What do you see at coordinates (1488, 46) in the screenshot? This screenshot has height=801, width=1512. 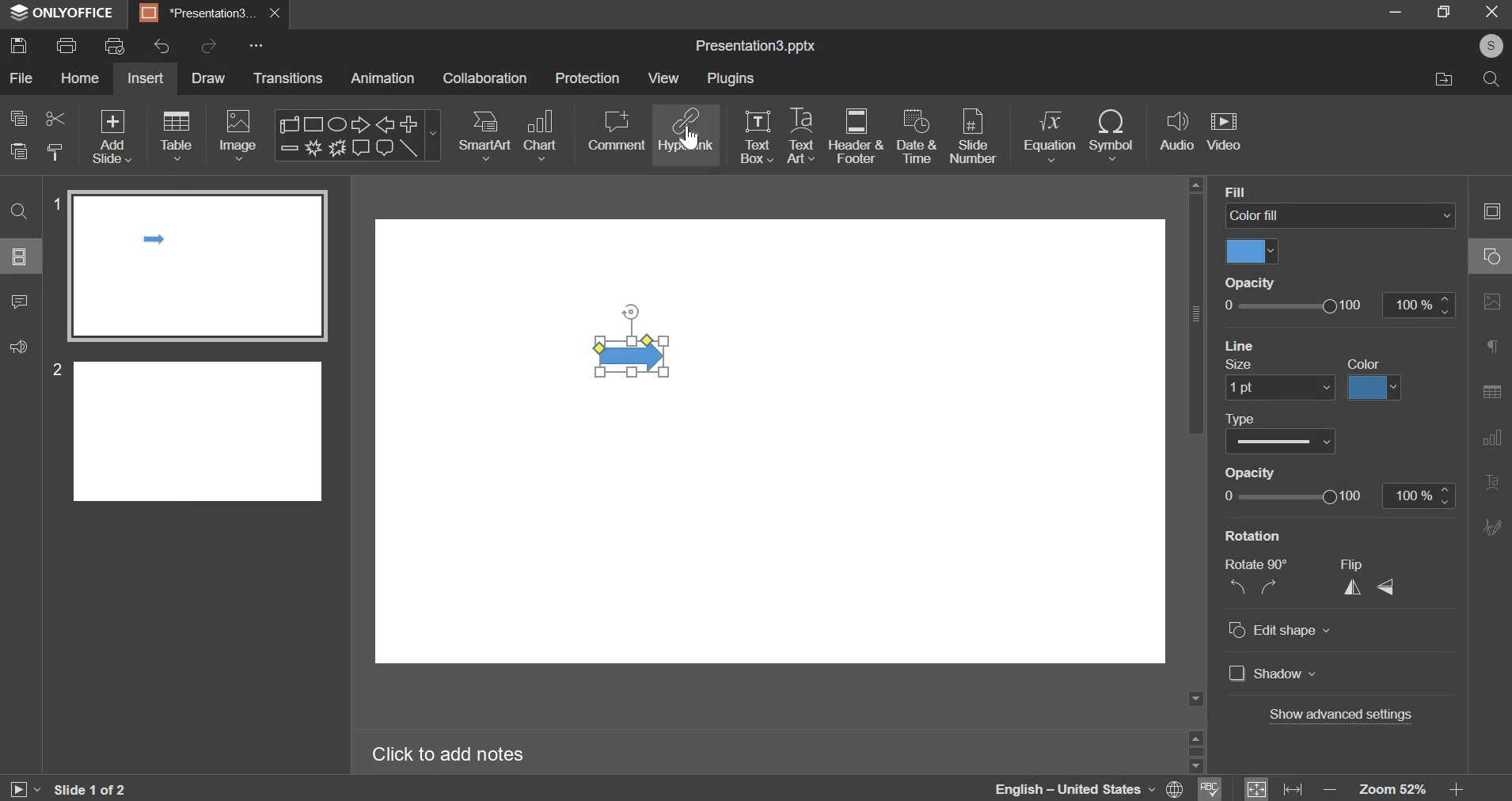 I see `account holder` at bounding box center [1488, 46].